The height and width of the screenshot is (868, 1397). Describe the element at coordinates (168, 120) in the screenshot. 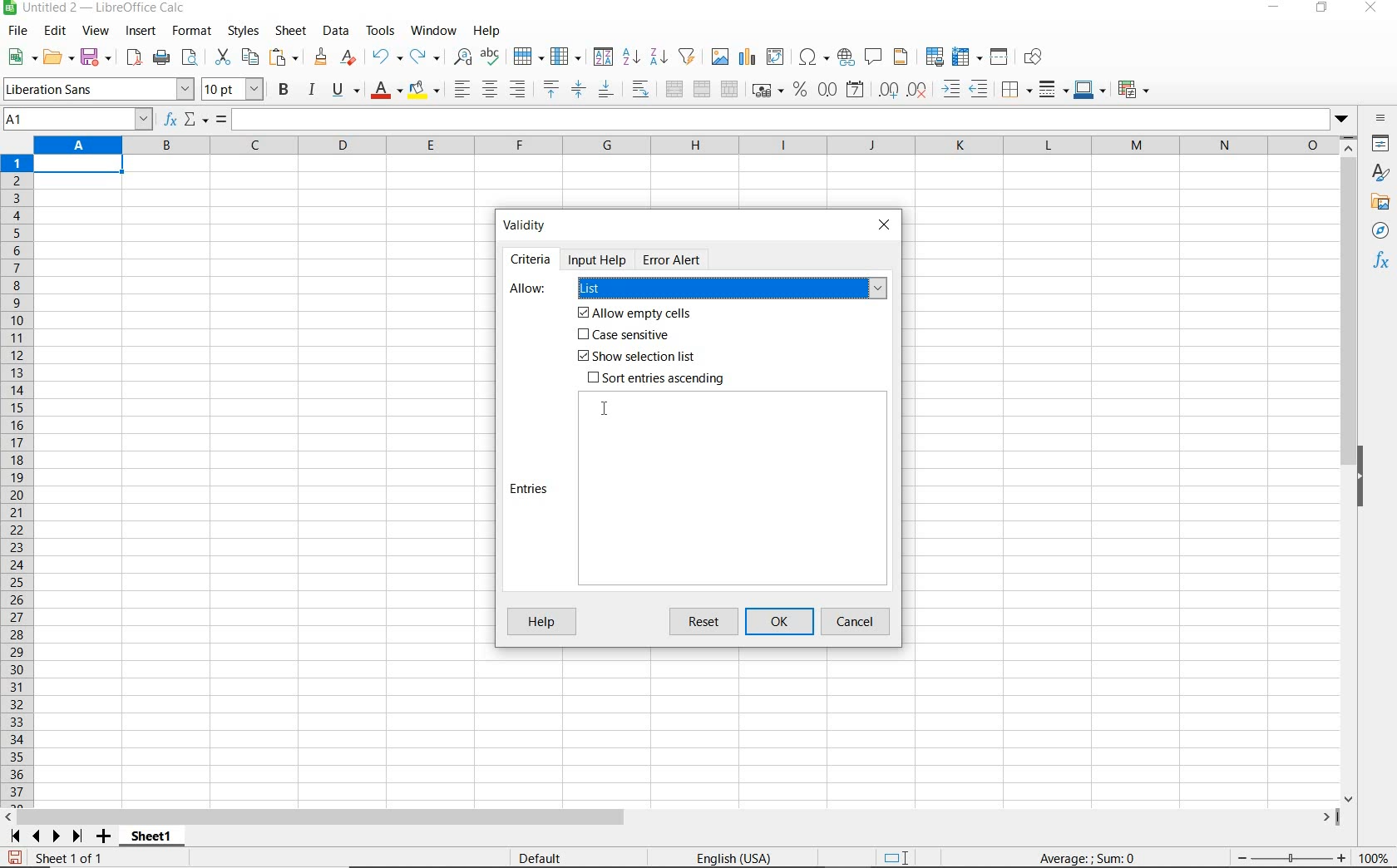

I see `function wizard` at that location.